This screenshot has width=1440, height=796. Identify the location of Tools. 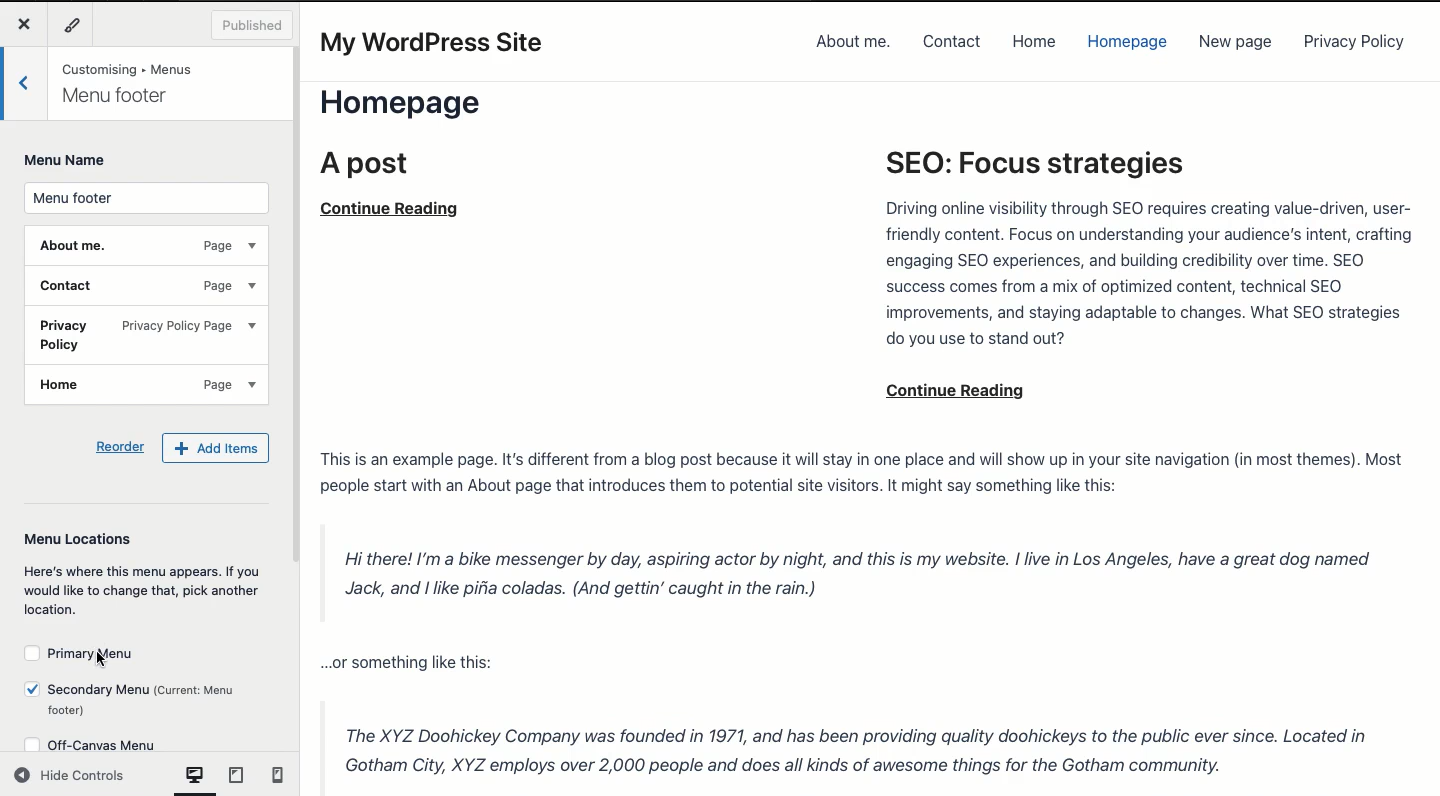
(74, 27).